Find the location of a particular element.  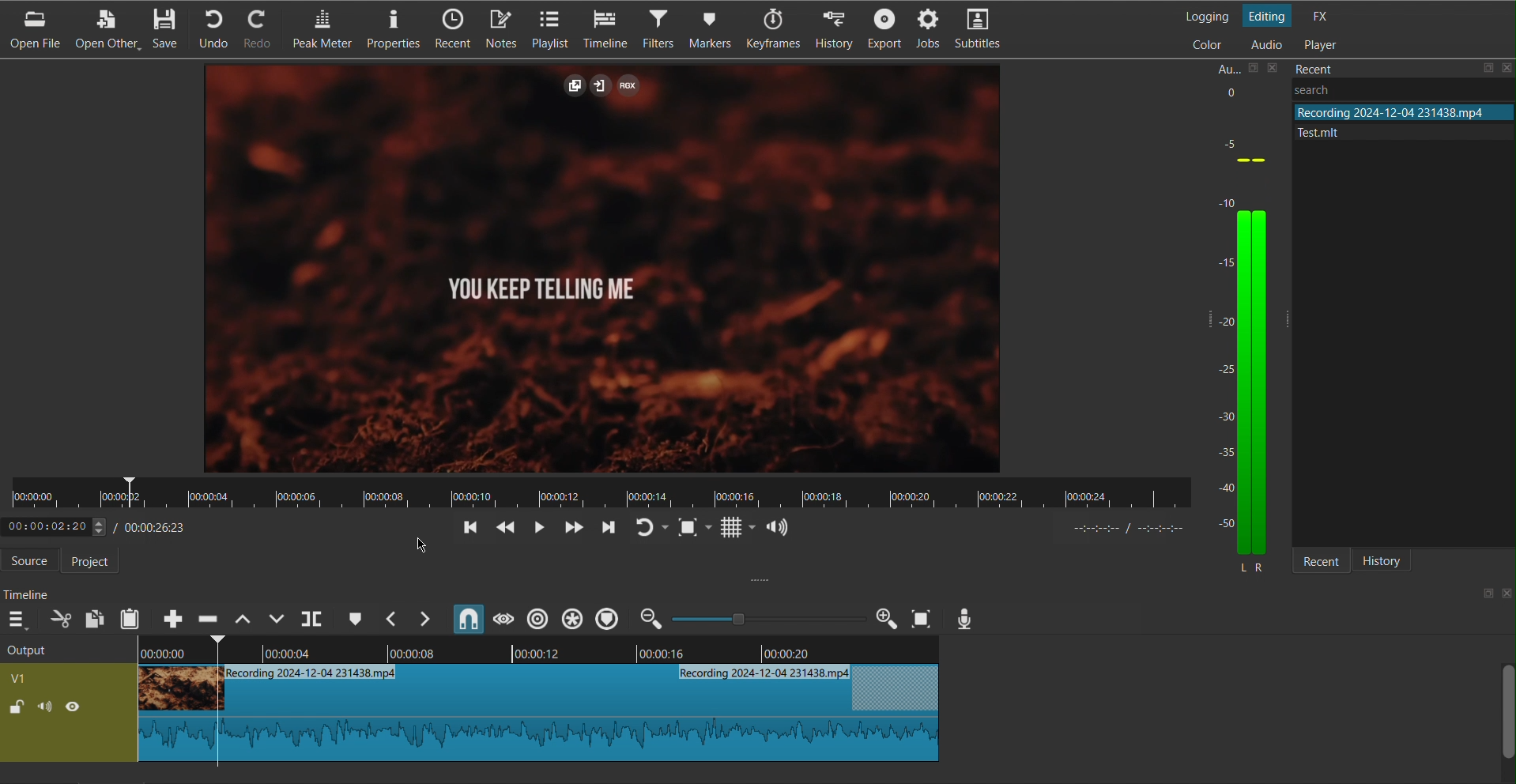

Timeline  is located at coordinates (32, 594).